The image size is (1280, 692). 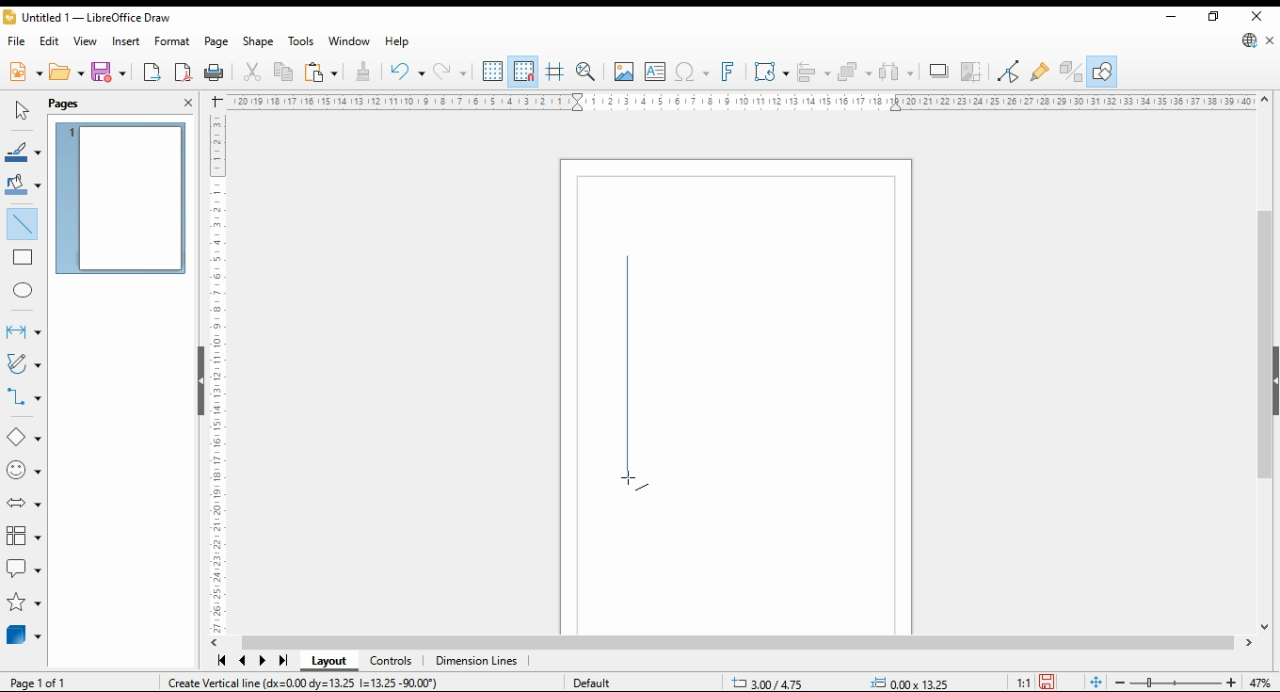 What do you see at coordinates (741, 101) in the screenshot?
I see `horizontal scale` at bounding box center [741, 101].